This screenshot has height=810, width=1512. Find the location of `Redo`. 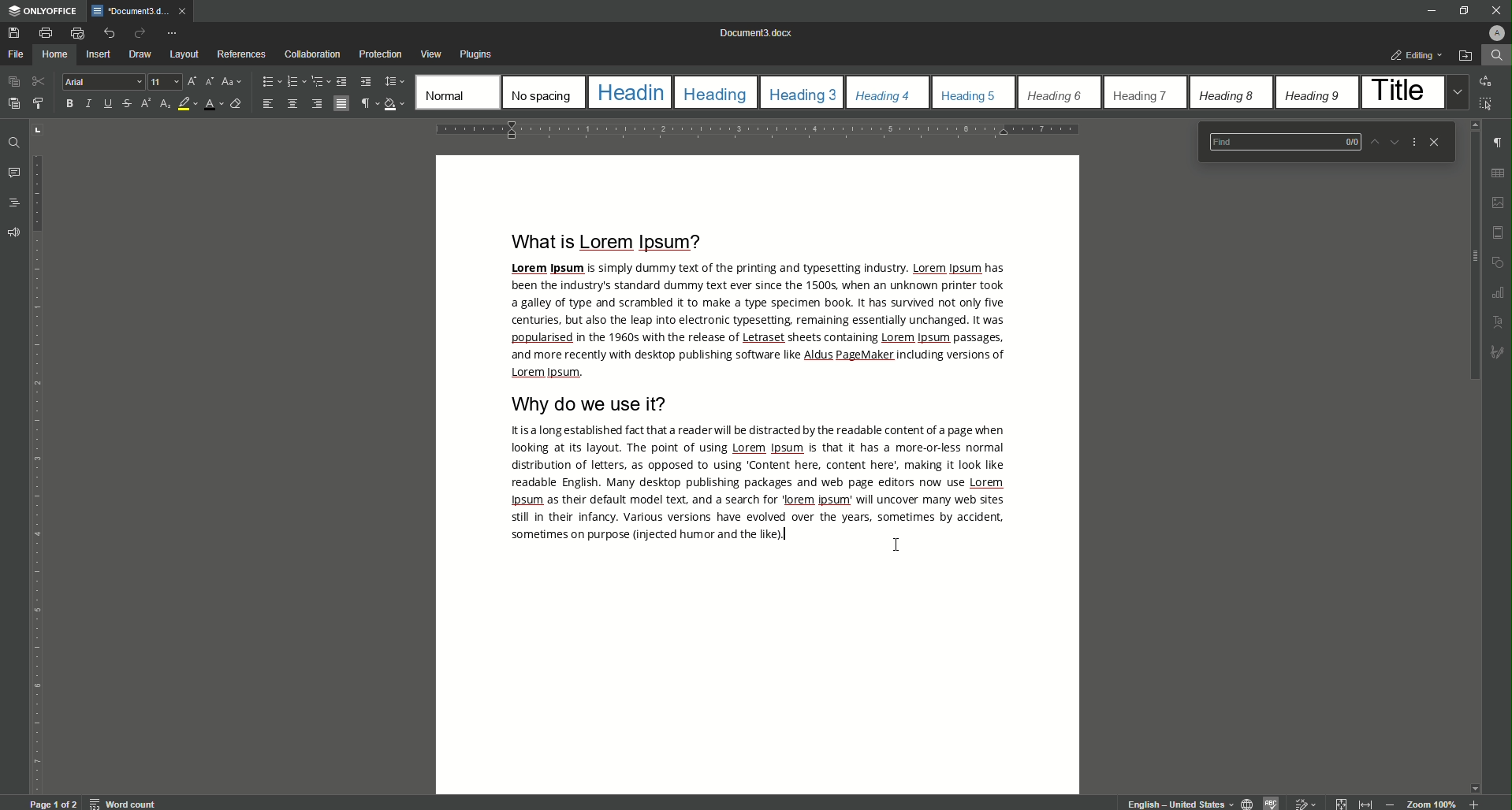

Redo is located at coordinates (136, 34).